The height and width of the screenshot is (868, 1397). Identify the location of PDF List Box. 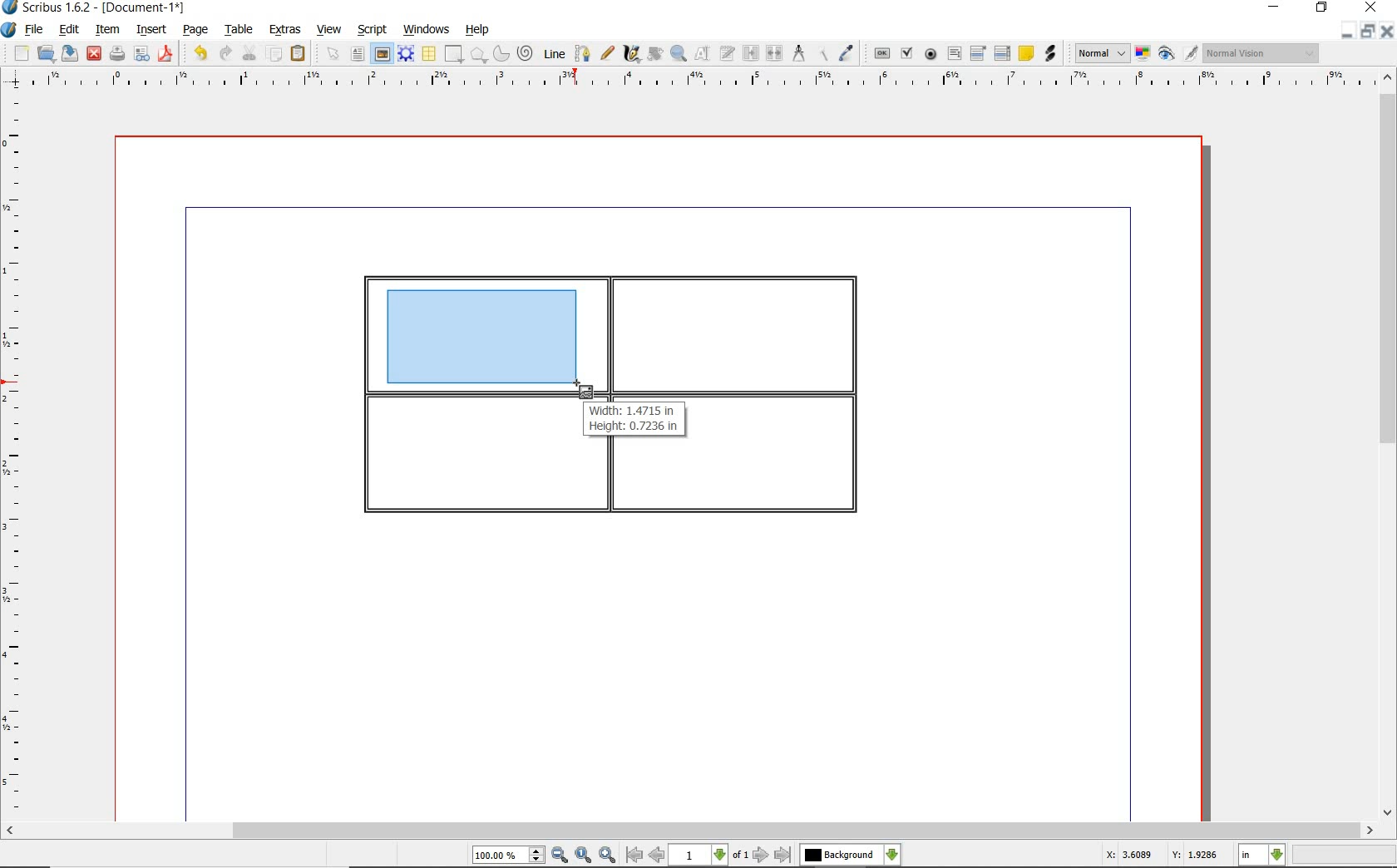
(1002, 53).